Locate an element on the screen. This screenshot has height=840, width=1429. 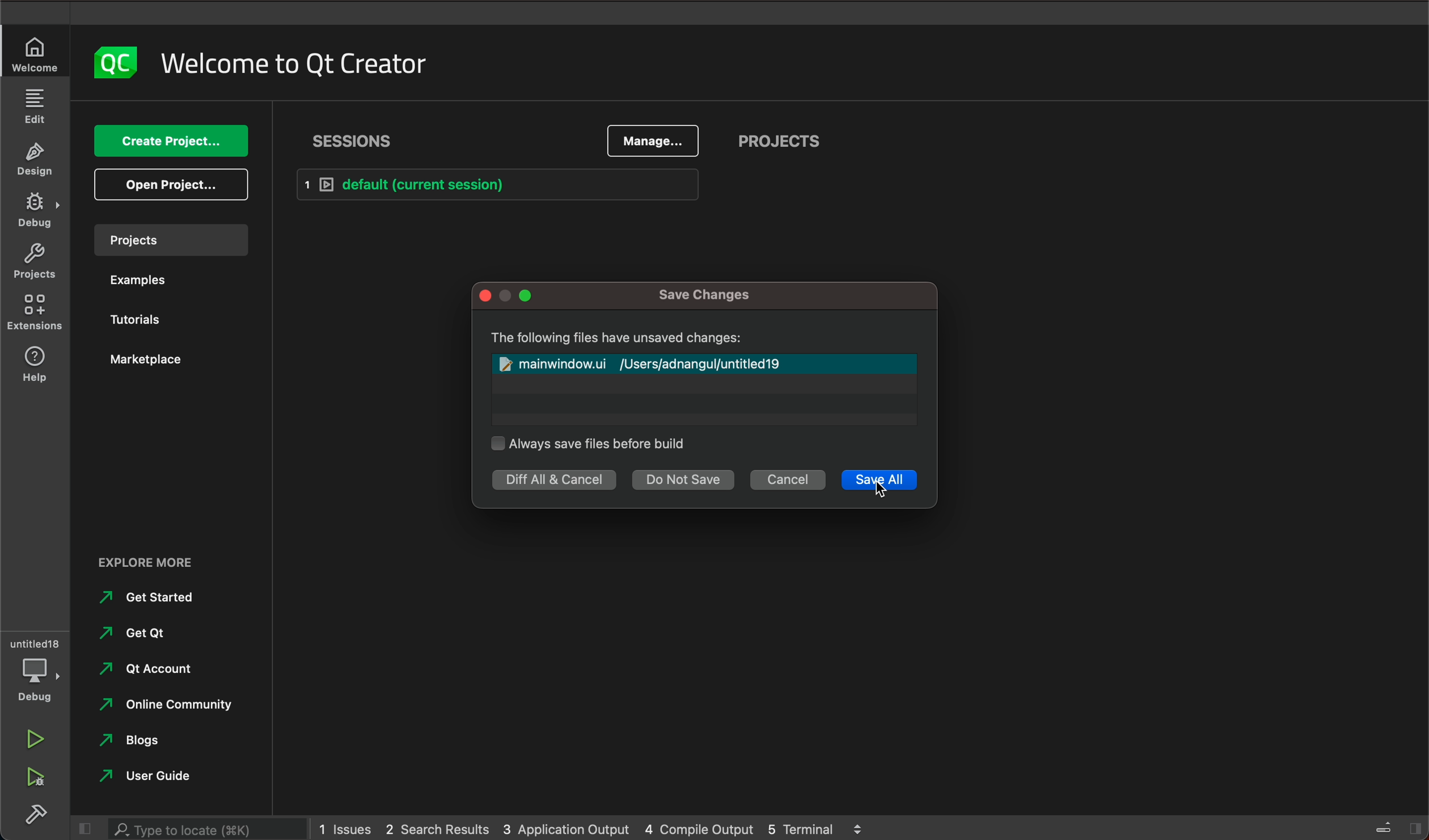
3 application output is located at coordinates (568, 826).